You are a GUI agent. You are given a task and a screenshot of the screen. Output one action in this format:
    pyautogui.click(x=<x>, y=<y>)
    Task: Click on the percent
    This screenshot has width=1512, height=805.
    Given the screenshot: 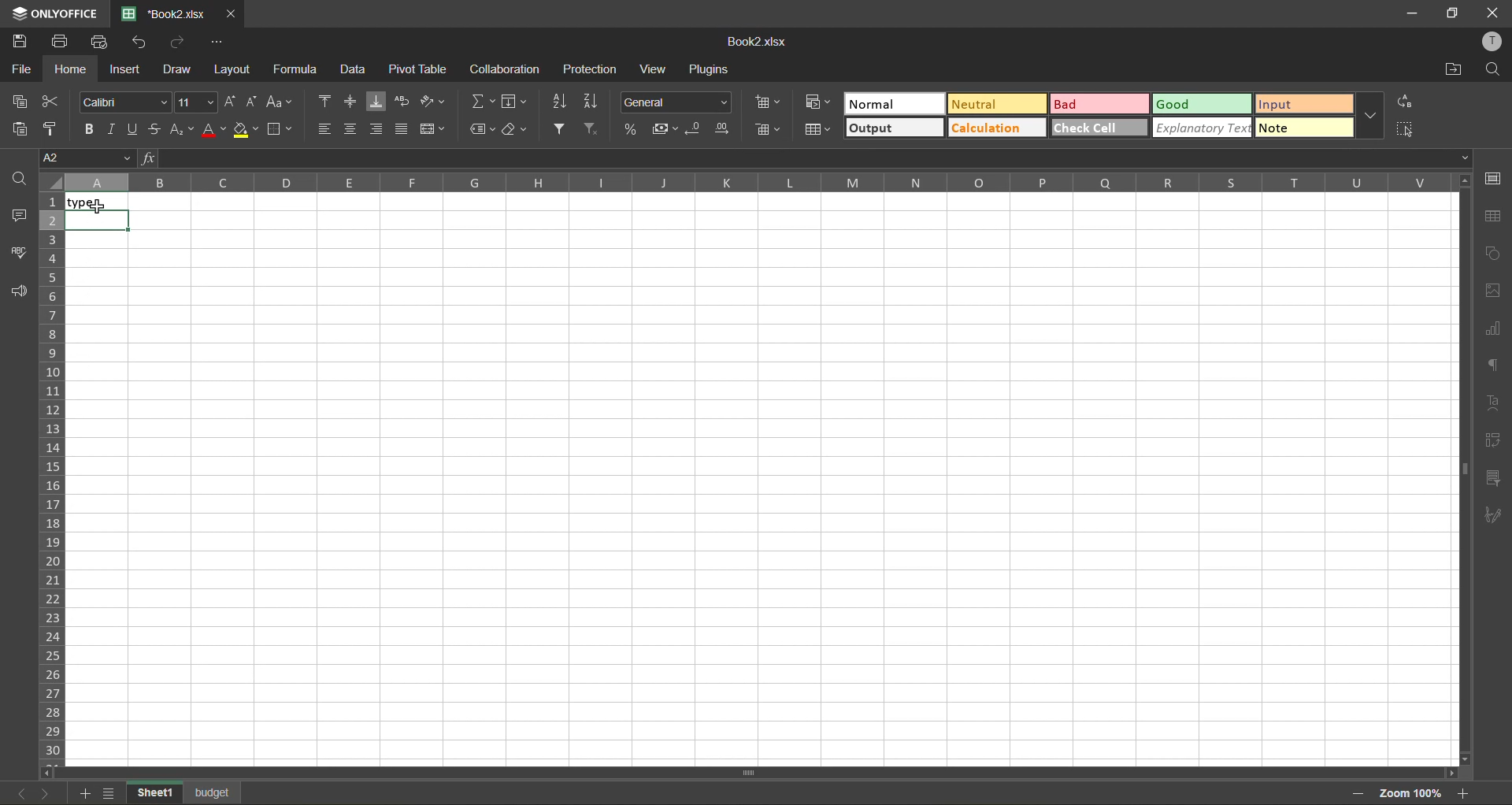 What is the action you would take?
    pyautogui.click(x=632, y=130)
    